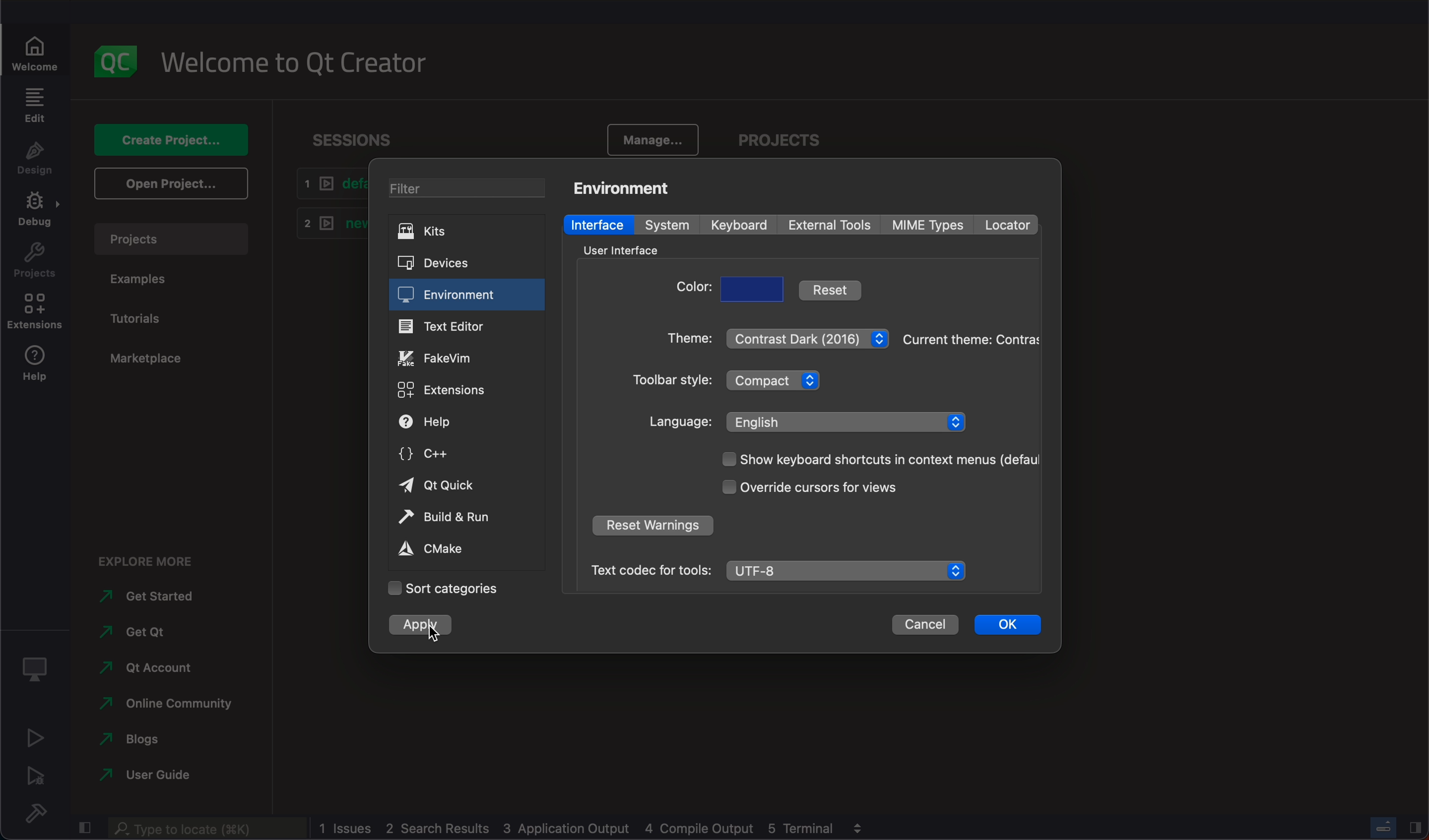  I want to click on manage, so click(650, 139).